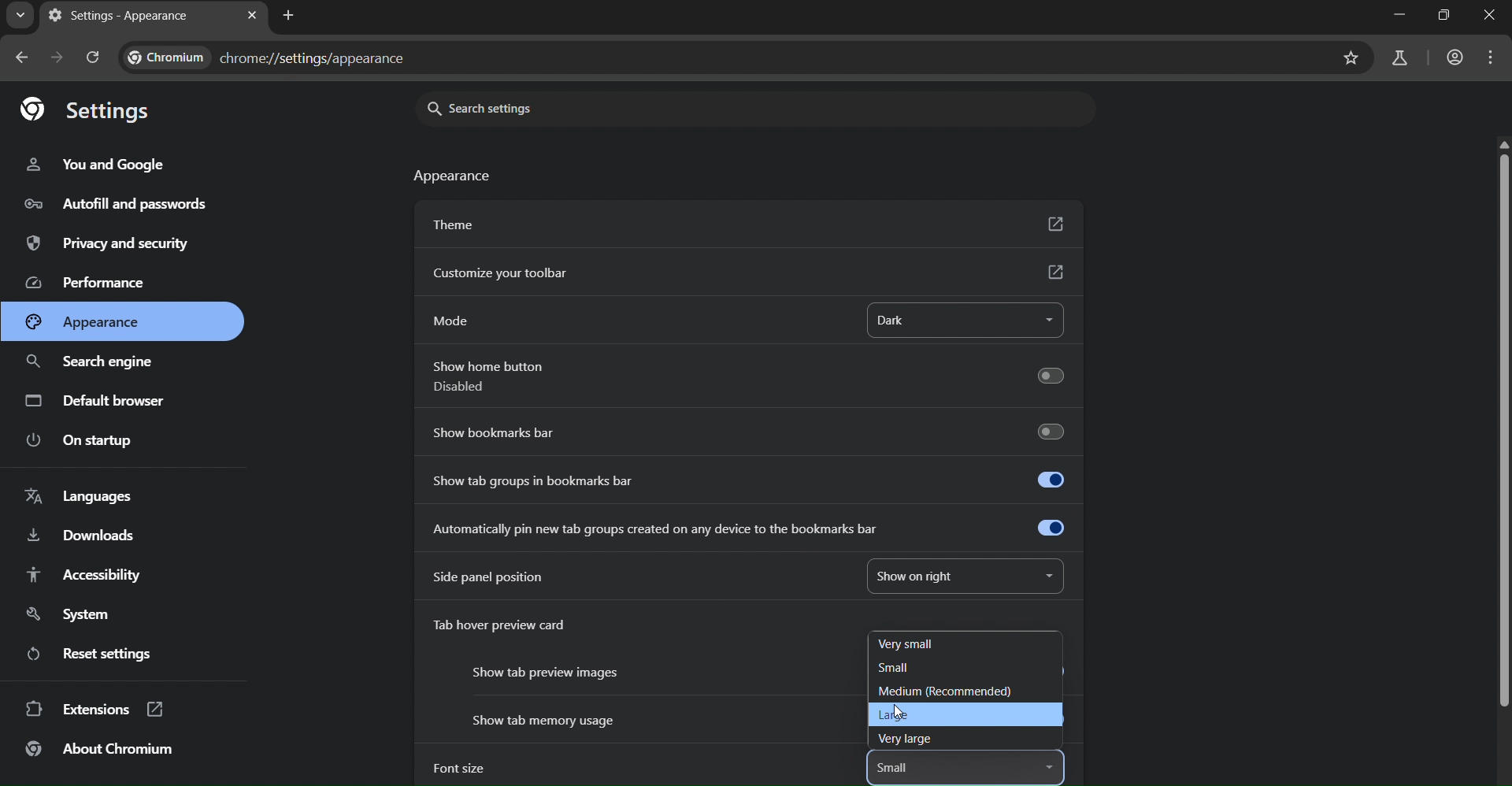 The width and height of the screenshot is (1512, 786). What do you see at coordinates (94, 365) in the screenshot?
I see `search engine` at bounding box center [94, 365].